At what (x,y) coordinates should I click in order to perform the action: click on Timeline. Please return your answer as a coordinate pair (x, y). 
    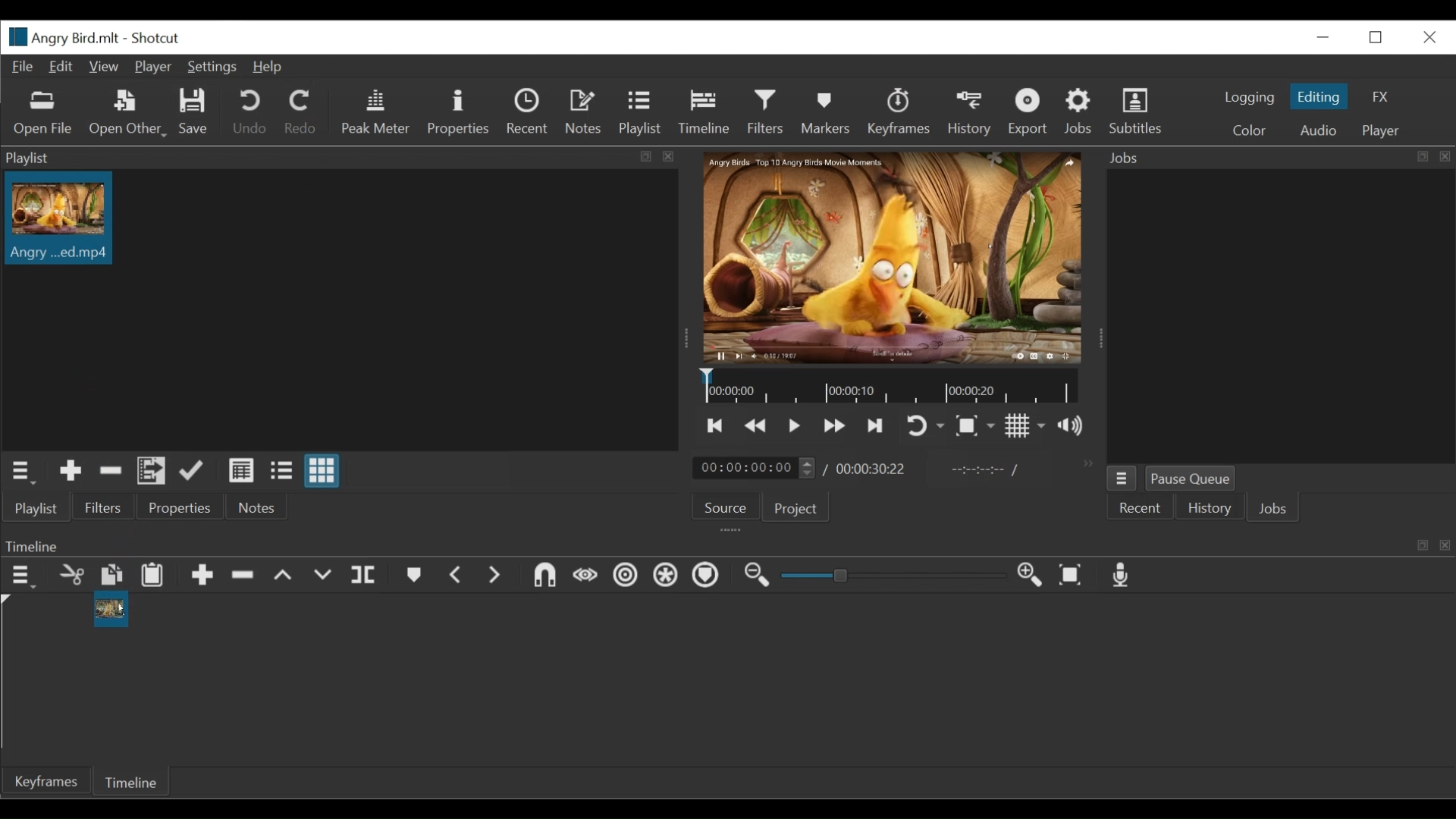
    Looking at the image, I should click on (726, 544).